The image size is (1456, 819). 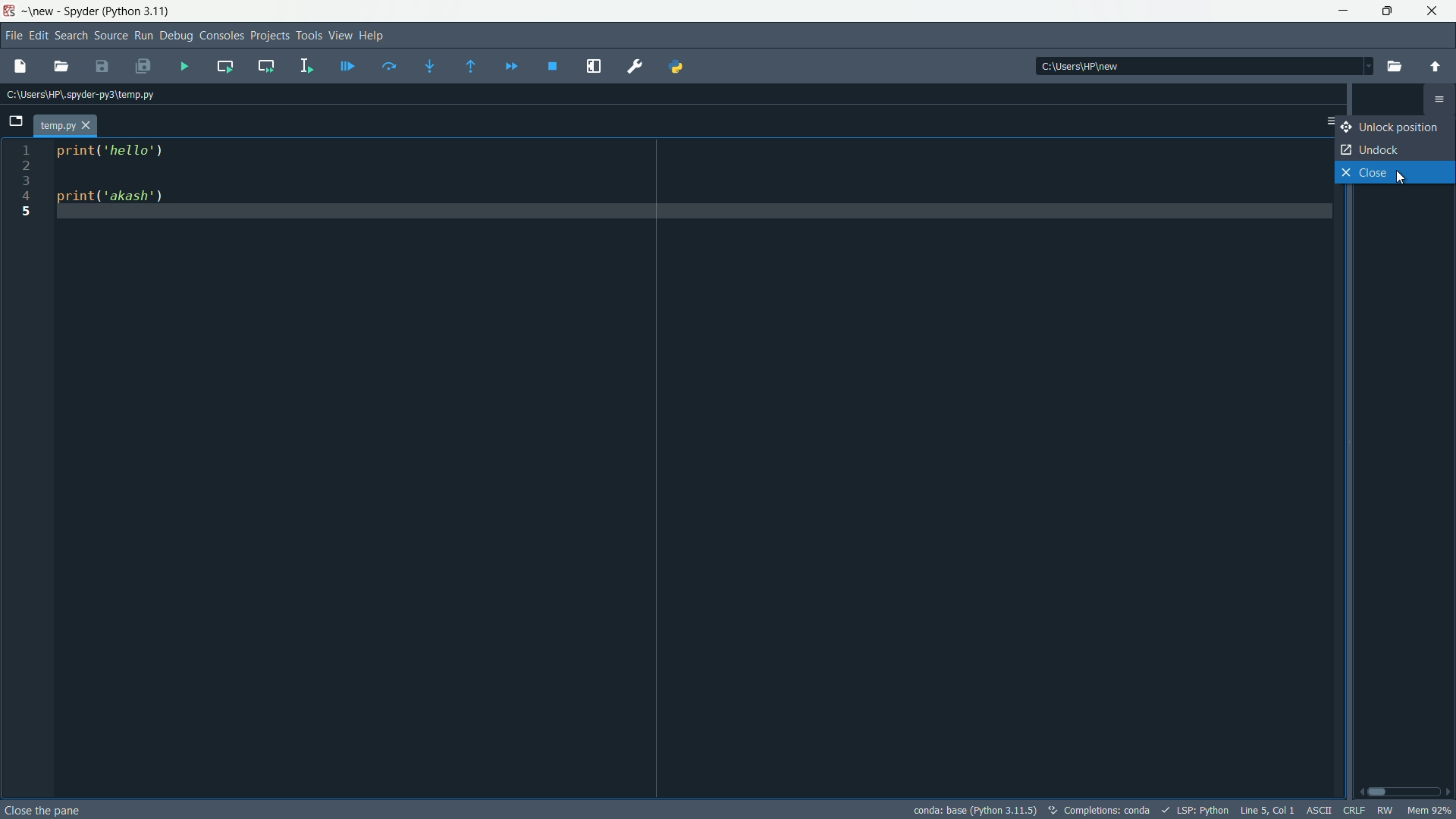 What do you see at coordinates (692, 467) in the screenshot?
I see `print('hello') print('akash')` at bounding box center [692, 467].